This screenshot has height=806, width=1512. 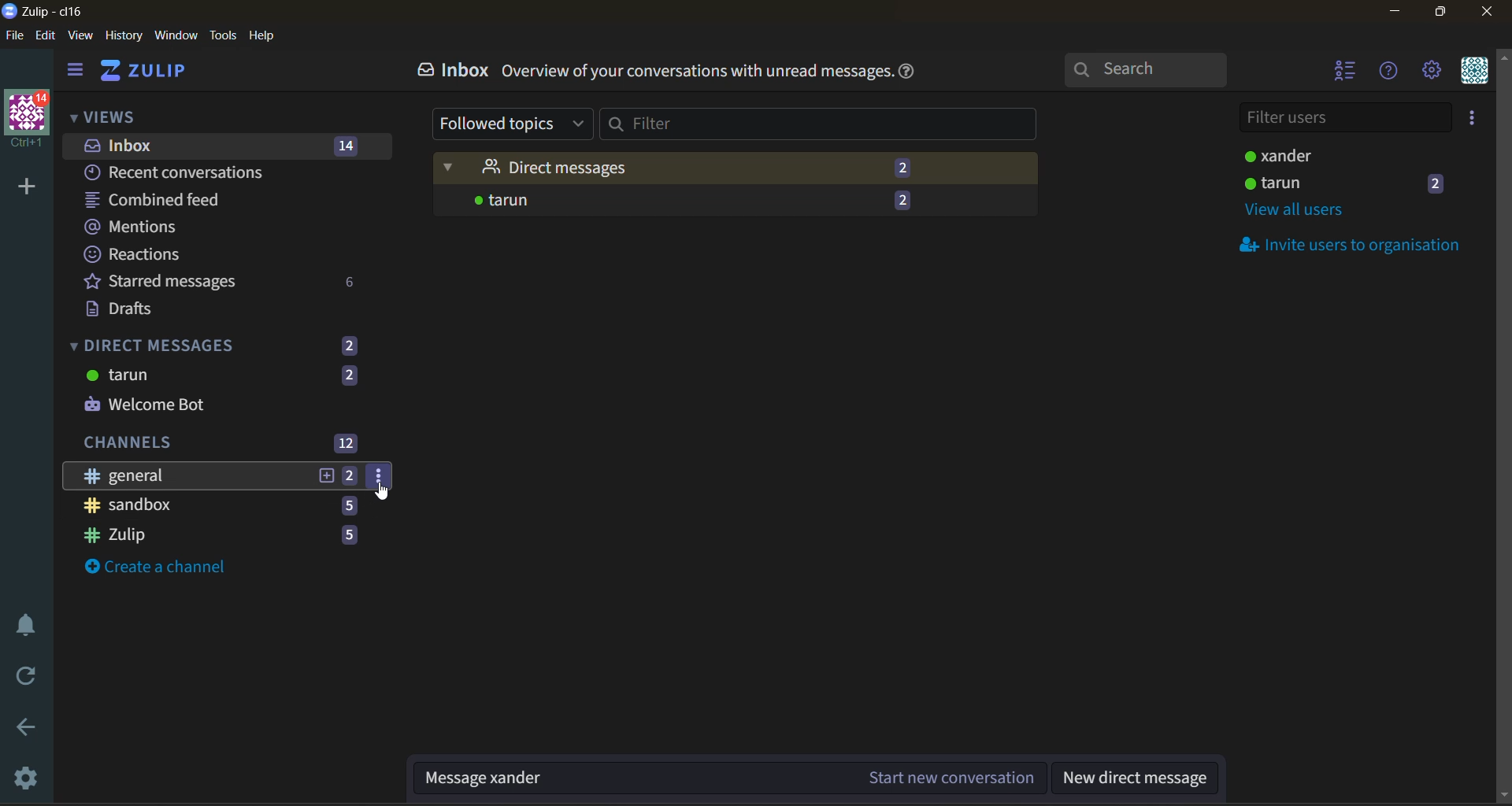 What do you see at coordinates (1432, 68) in the screenshot?
I see `settings` at bounding box center [1432, 68].